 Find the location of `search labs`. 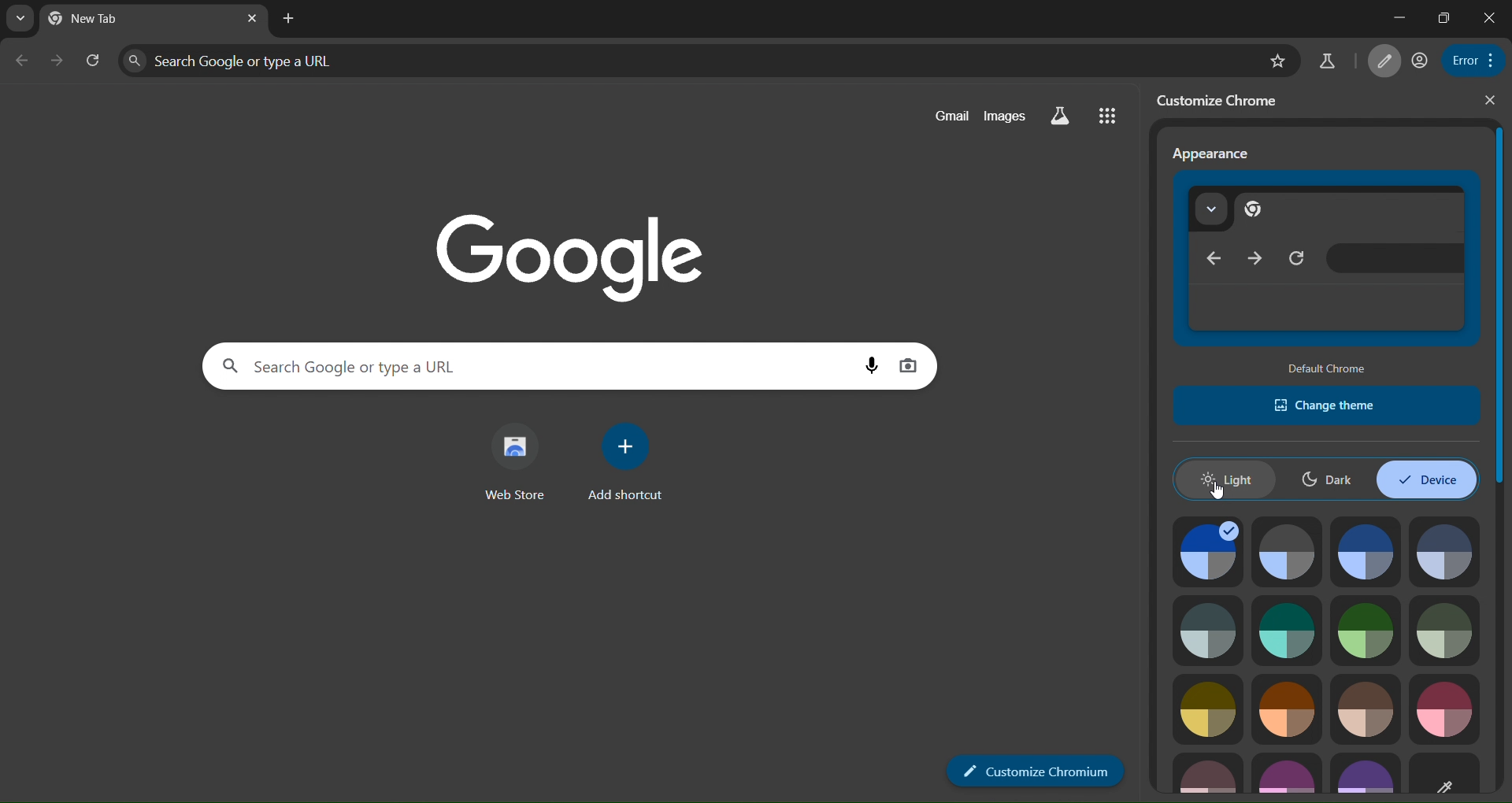

search labs is located at coordinates (1381, 59).